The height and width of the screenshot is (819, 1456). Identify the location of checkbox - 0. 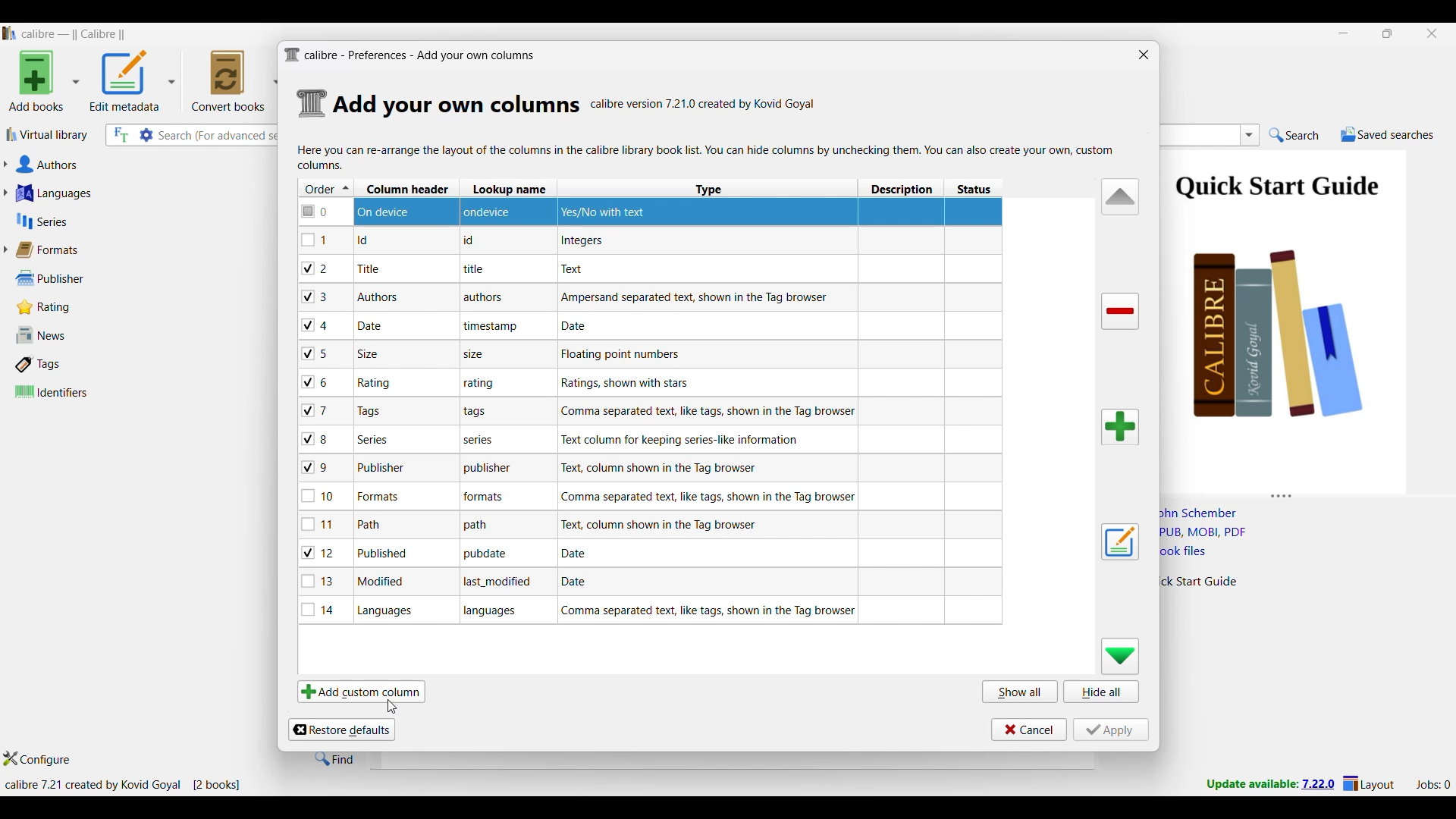
(316, 210).